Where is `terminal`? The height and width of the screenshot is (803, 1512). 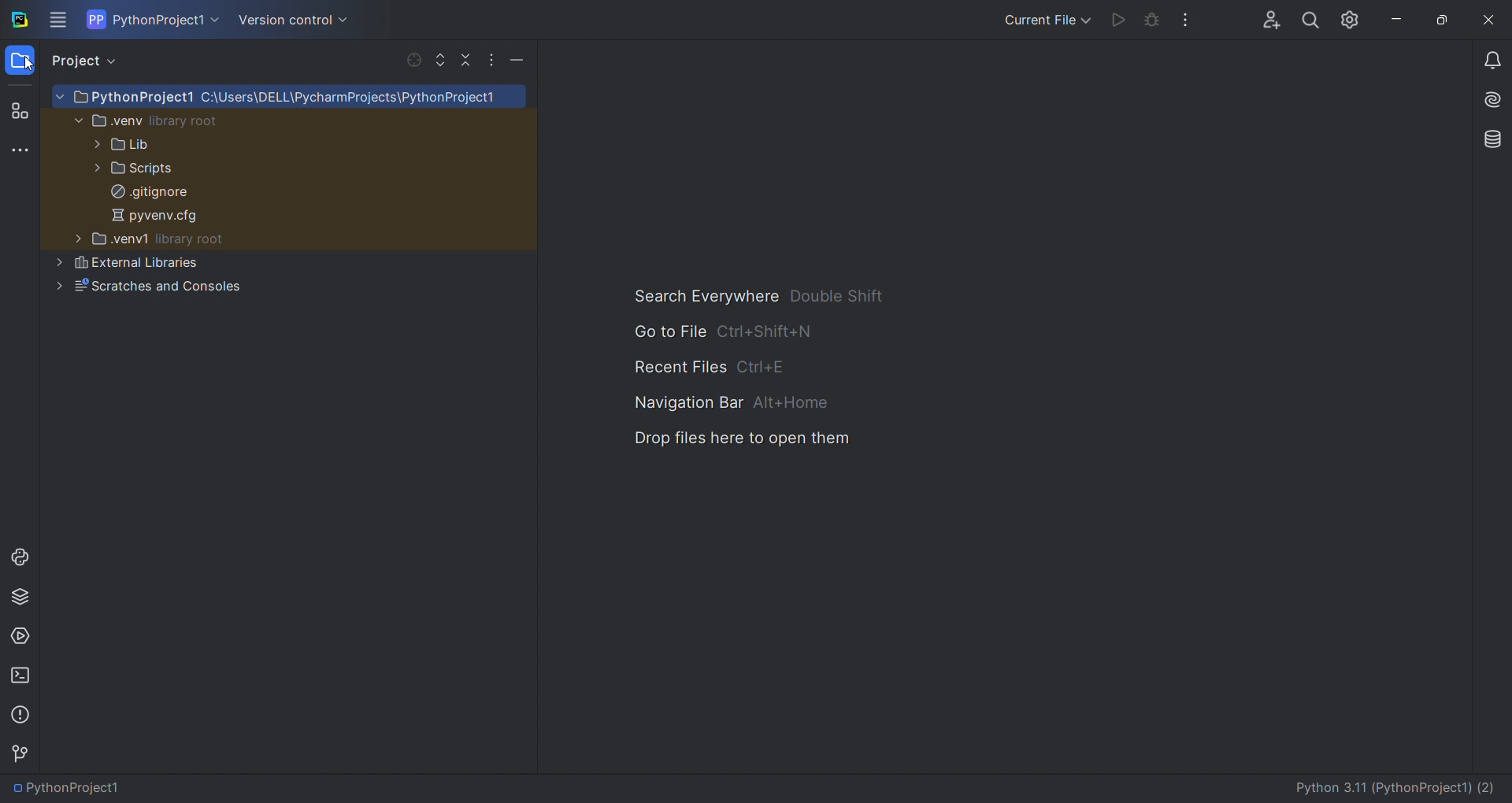
terminal is located at coordinates (19, 675).